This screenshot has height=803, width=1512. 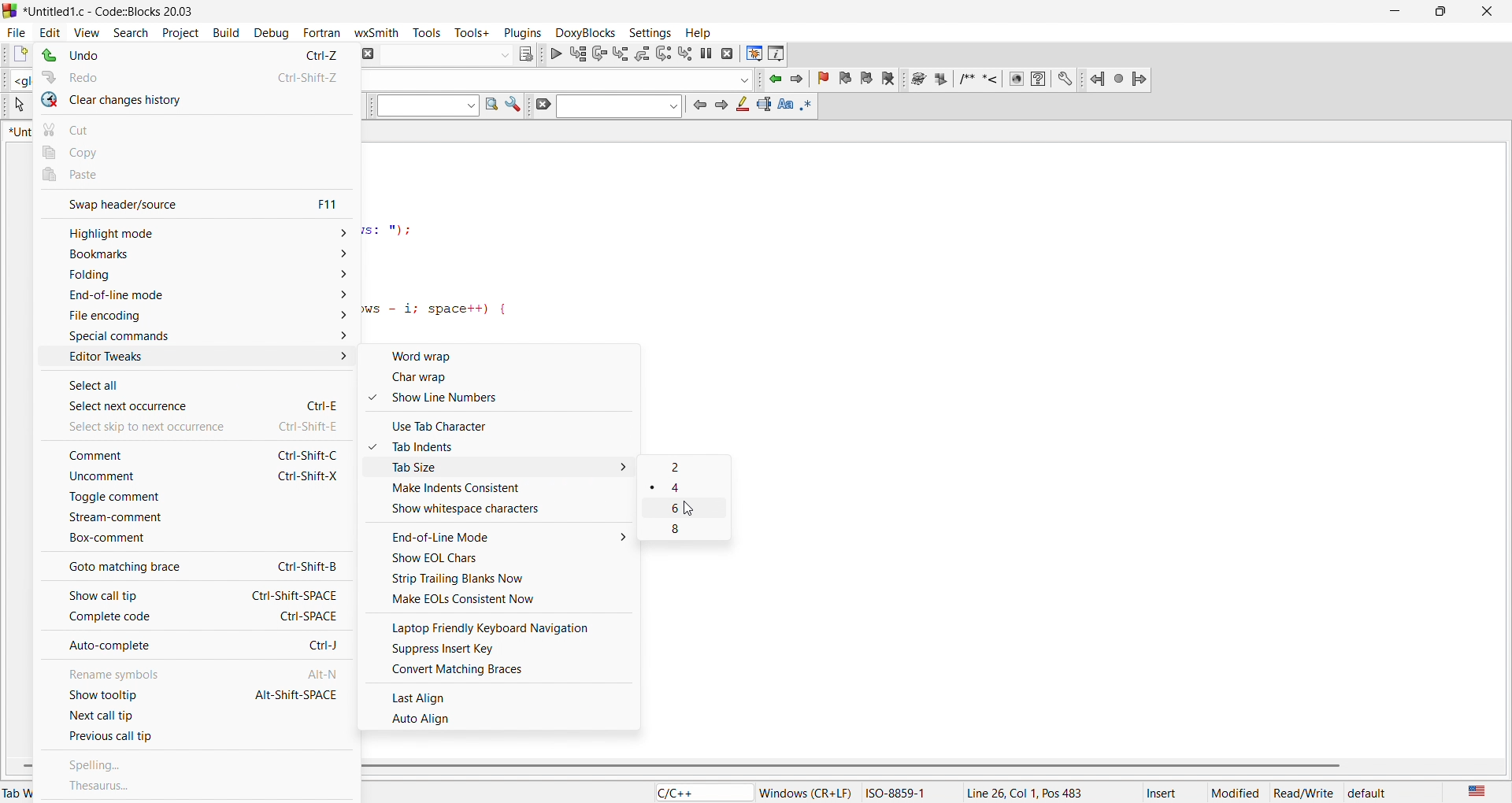 I want to click on f11, so click(x=331, y=204).